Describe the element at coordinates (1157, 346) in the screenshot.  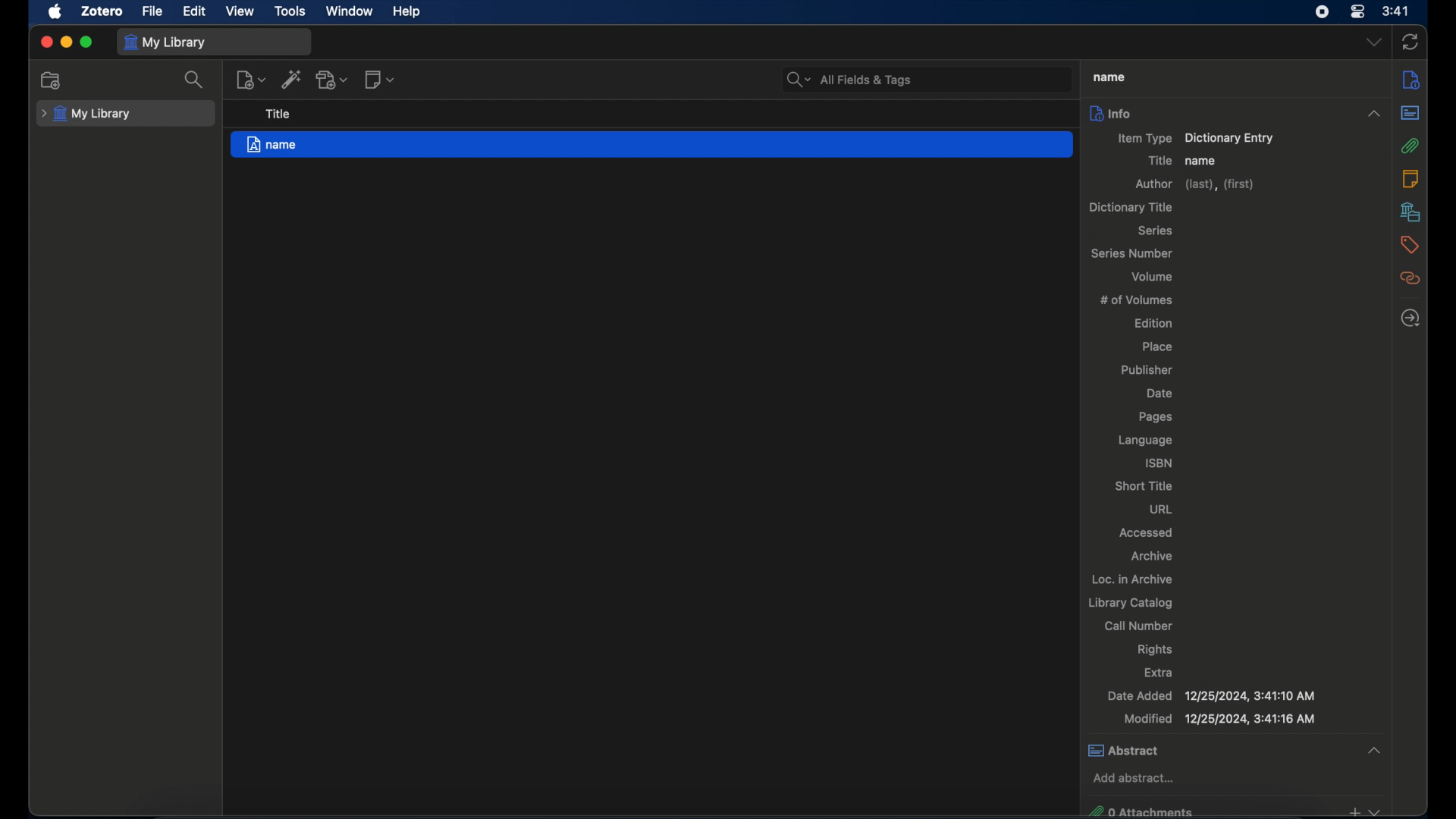
I see `place` at that location.